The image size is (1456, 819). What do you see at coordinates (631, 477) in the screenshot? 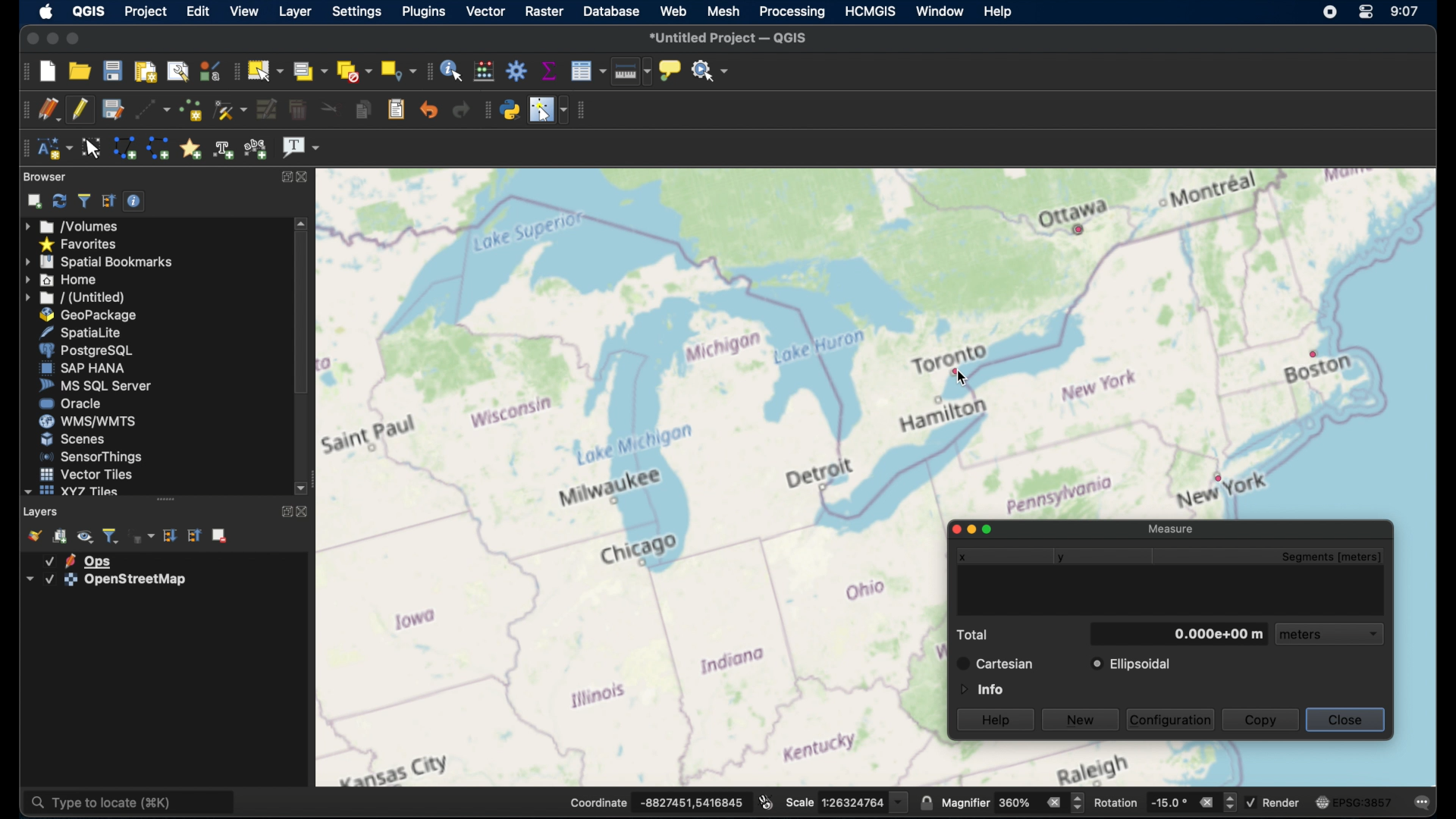
I see `open street map` at bounding box center [631, 477].